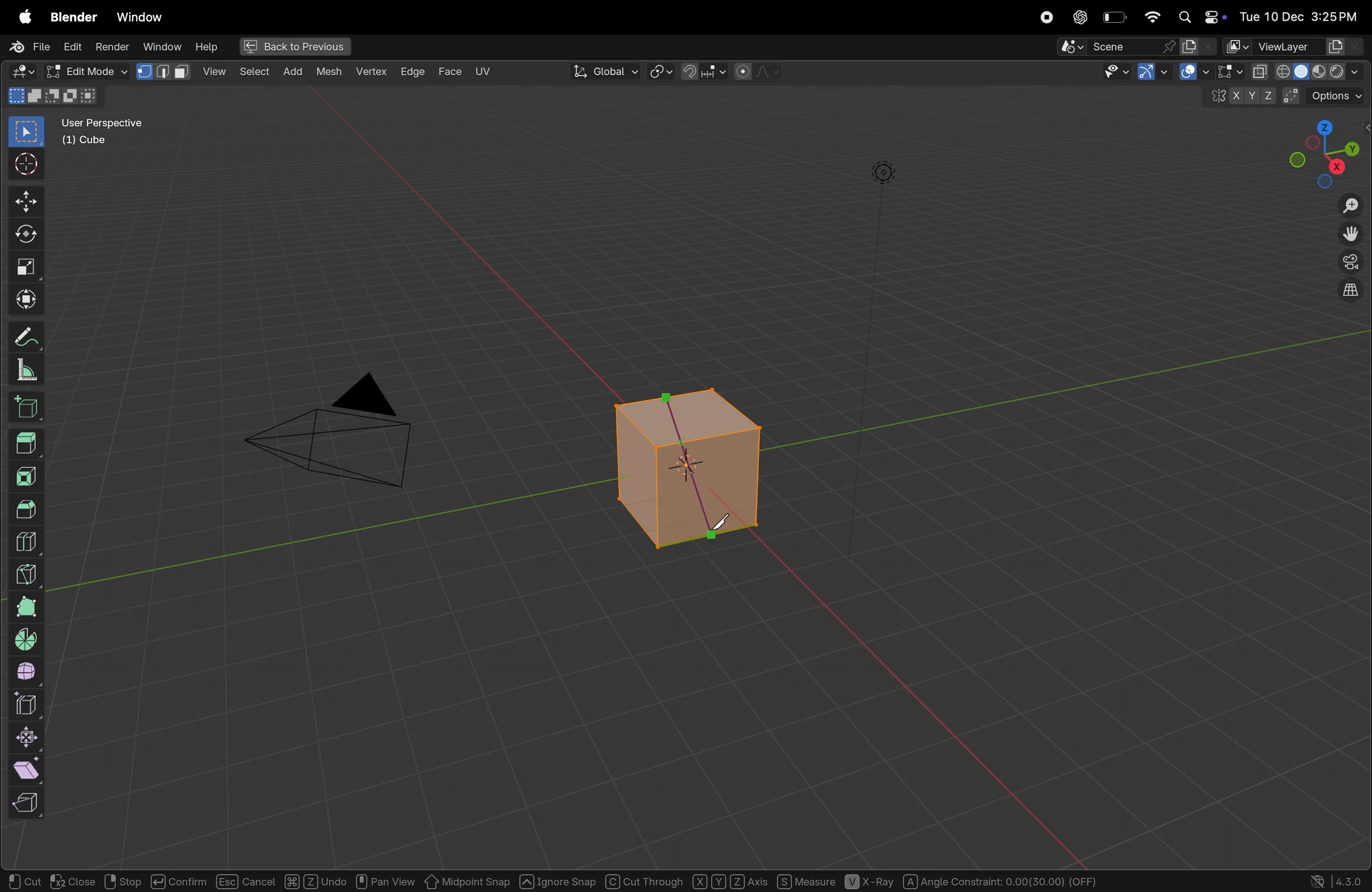 The height and width of the screenshot is (892, 1372). Describe the element at coordinates (385, 880) in the screenshot. I see `Pan View` at that location.